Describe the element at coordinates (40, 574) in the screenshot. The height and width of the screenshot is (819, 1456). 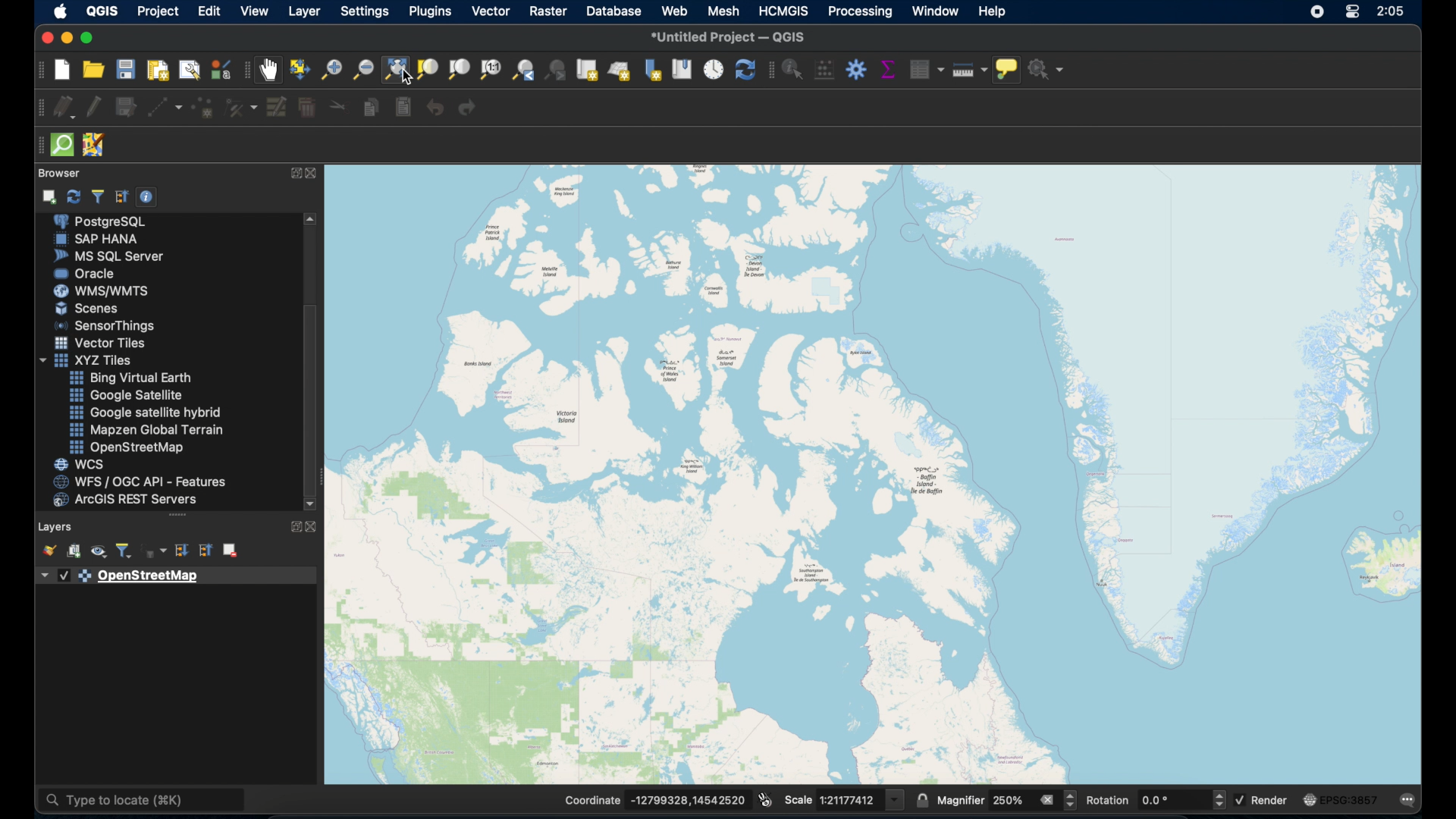
I see `drop down` at that location.